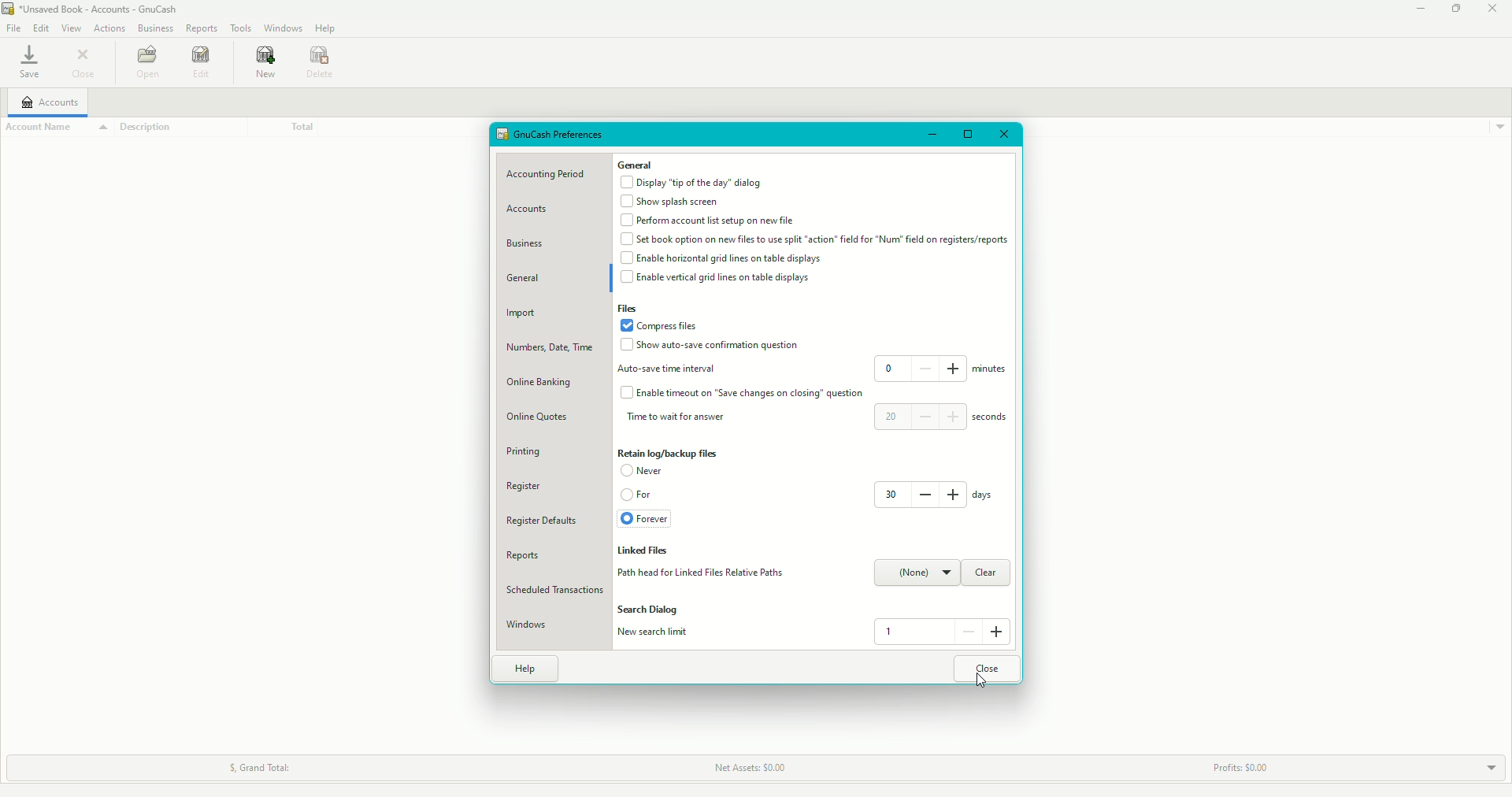 Image resolution: width=1512 pixels, height=797 pixels. What do you see at coordinates (680, 418) in the screenshot?
I see `Time to wait for answer` at bounding box center [680, 418].